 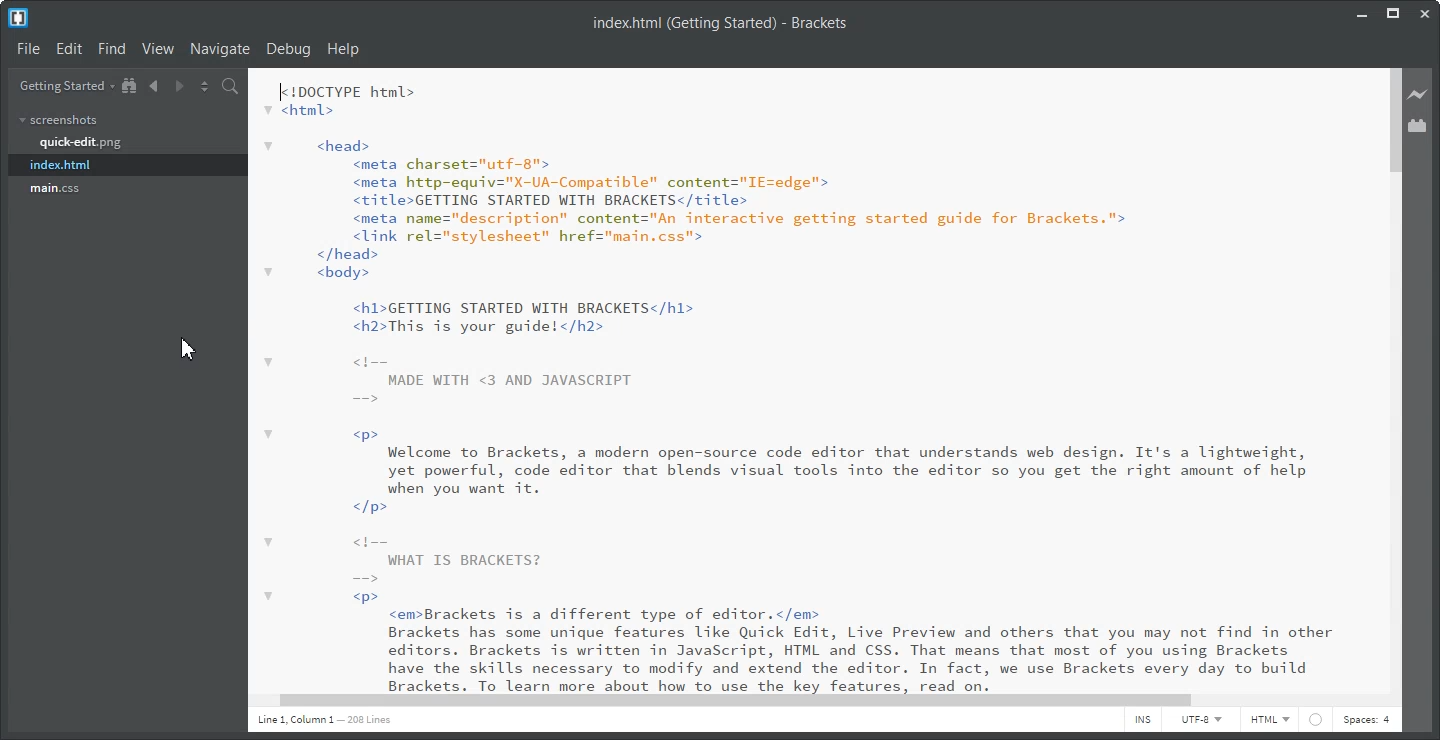 I want to click on quick-edit.png, so click(x=81, y=142).